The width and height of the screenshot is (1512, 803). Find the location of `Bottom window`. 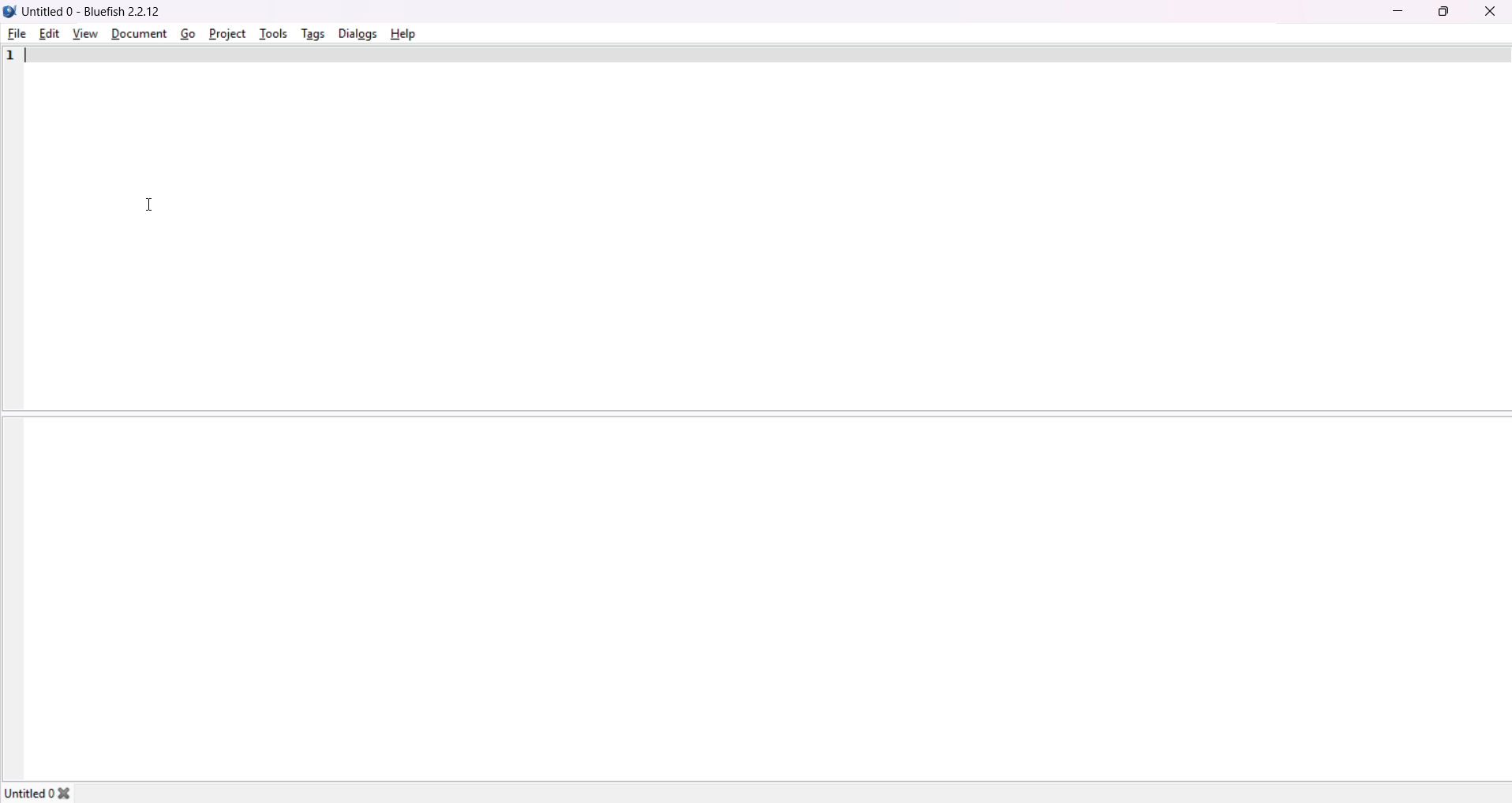

Bottom window is located at coordinates (761, 600).